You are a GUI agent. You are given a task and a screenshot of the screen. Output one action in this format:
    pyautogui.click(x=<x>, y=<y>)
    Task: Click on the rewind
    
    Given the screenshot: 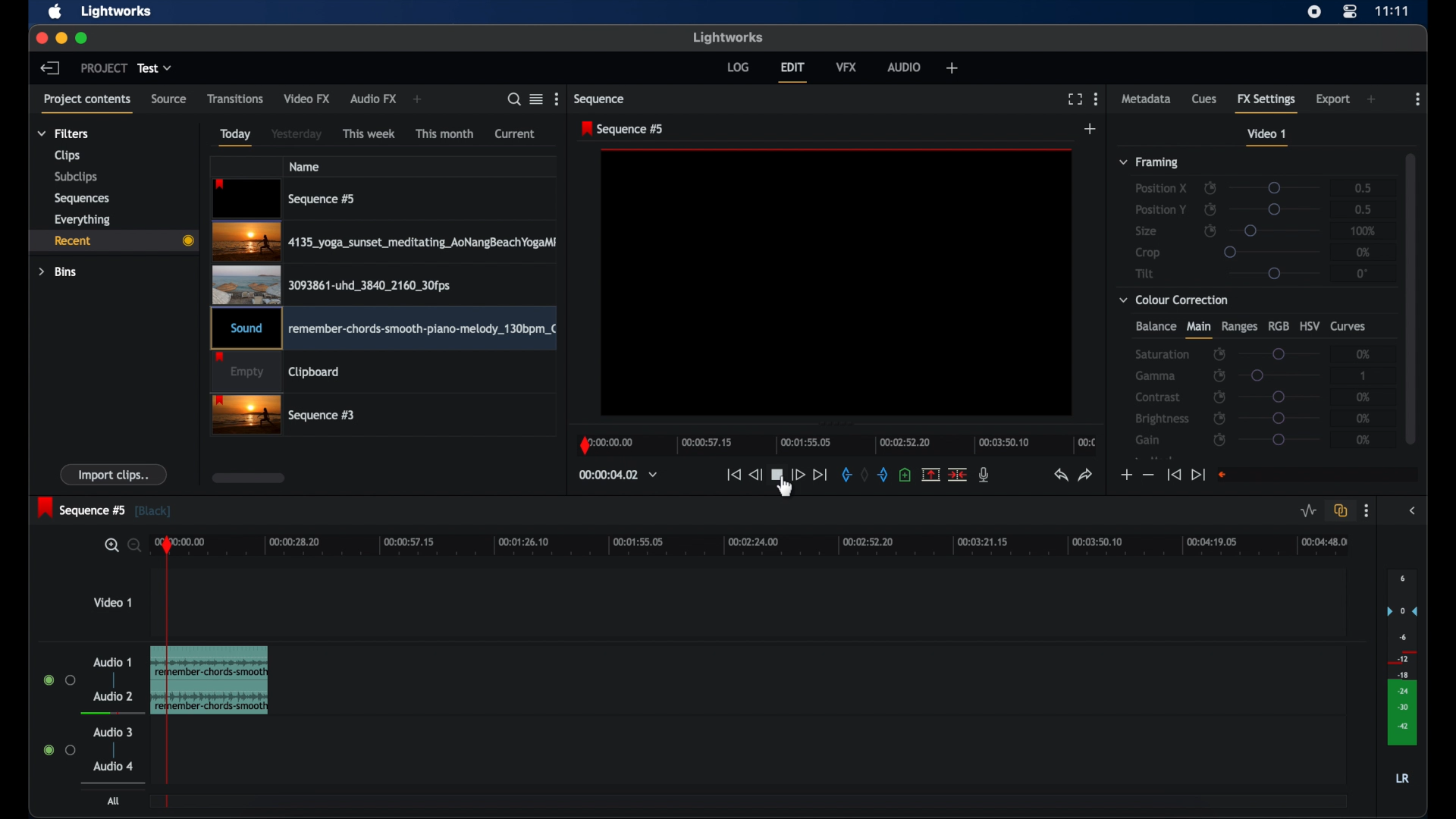 What is the action you would take?
    pyautogui.click(x=755, y=475)
    